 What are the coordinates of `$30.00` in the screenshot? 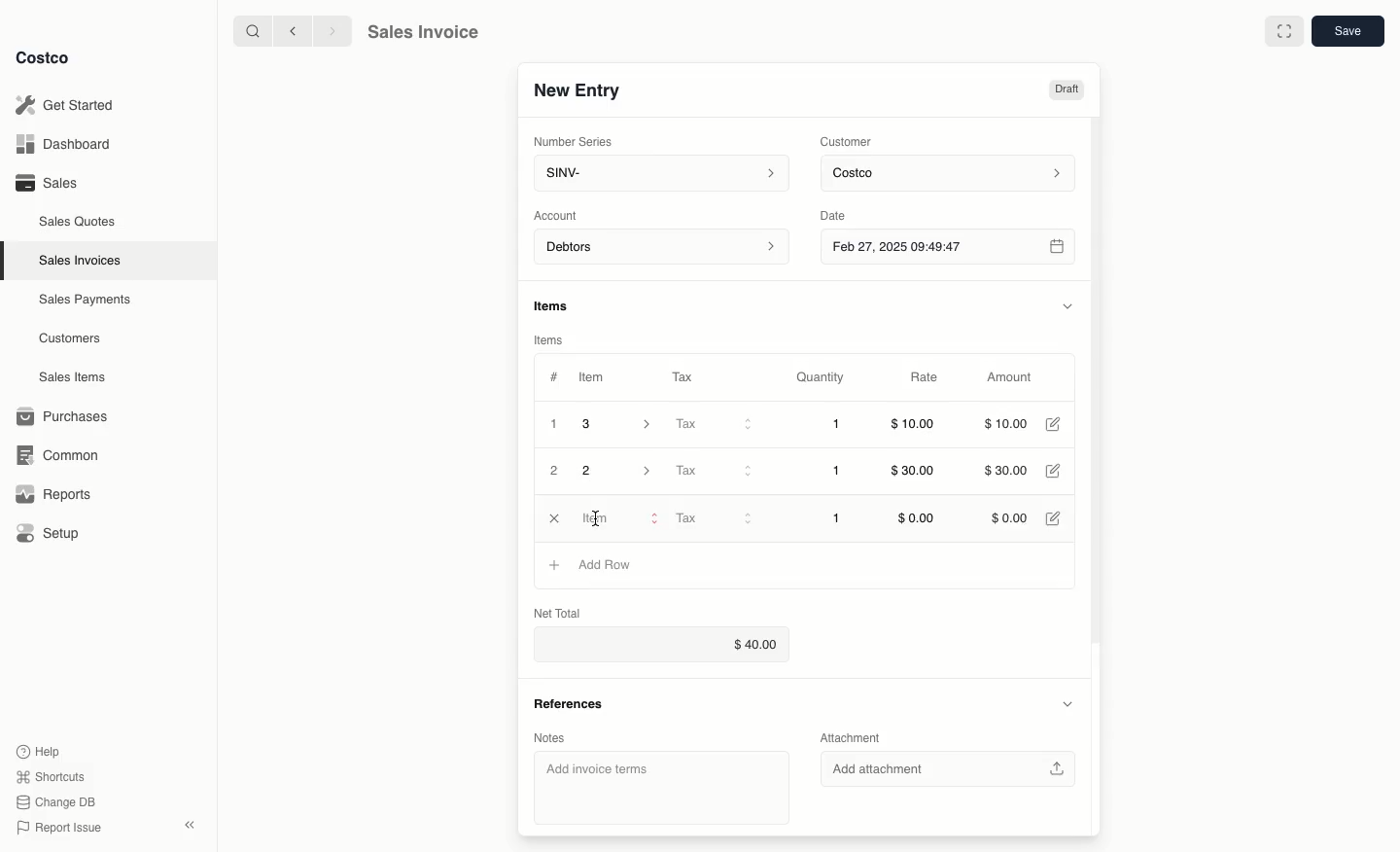 It's located at (917, 472).